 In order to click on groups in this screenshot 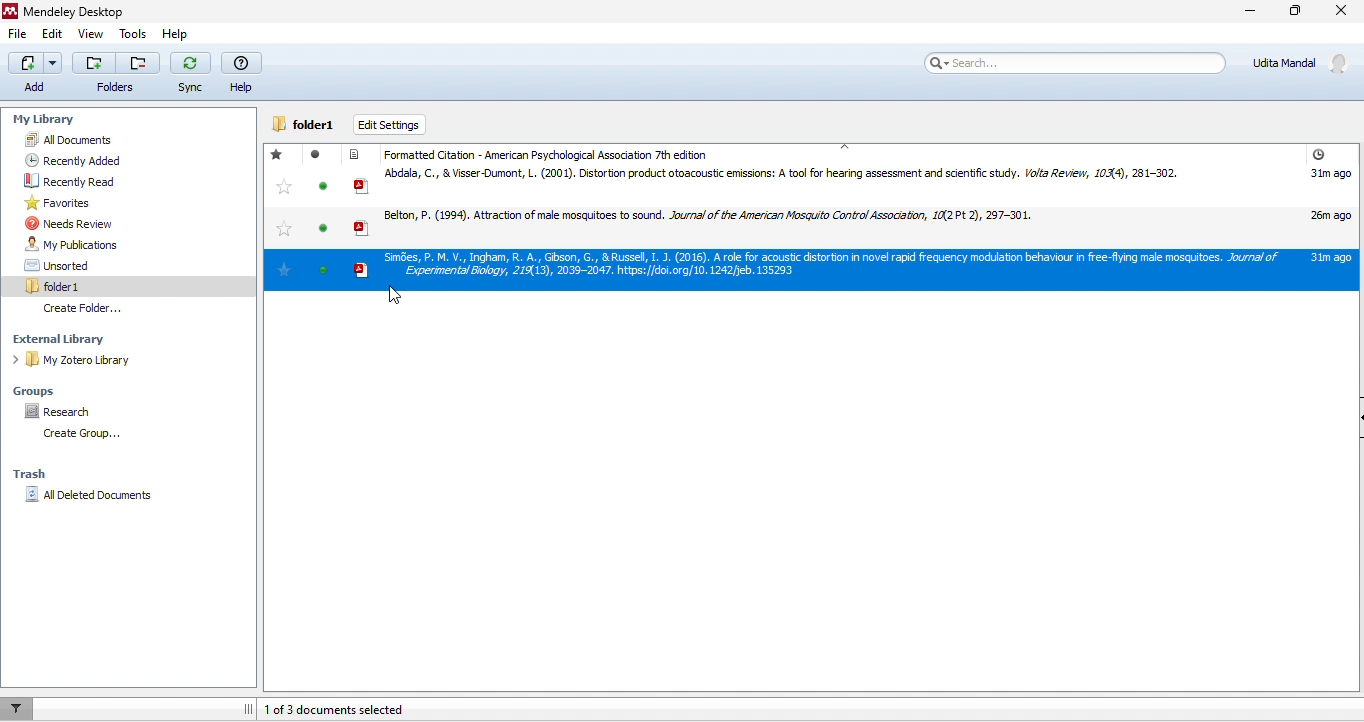, I will do `click(56, 386)`.